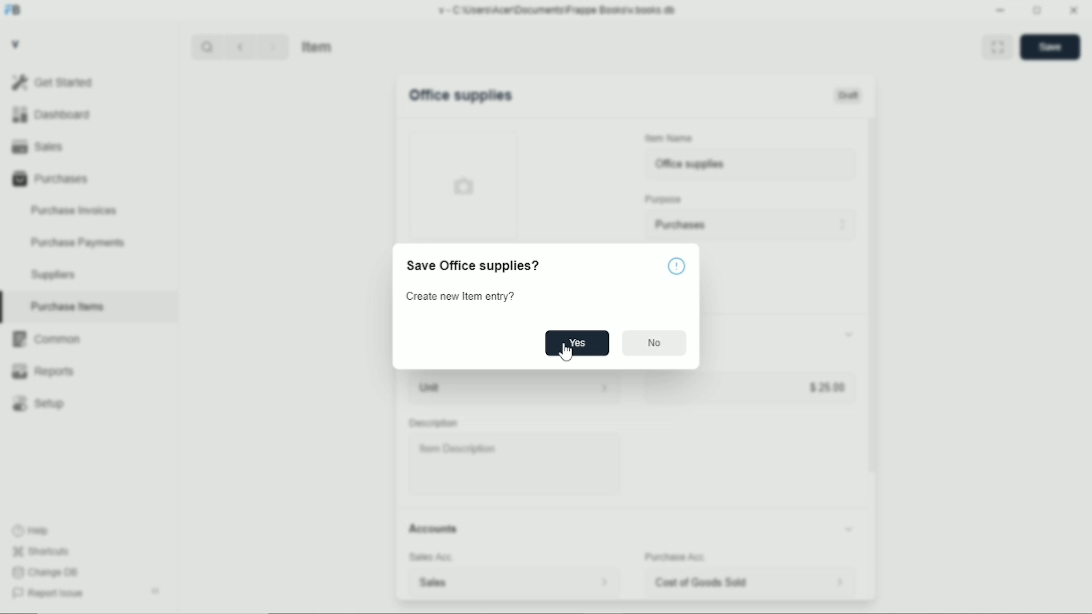 The height and width of the screenshot is (614, 1092). What do you see at coordinates (207, 47) in the screenshot?
I see `Search` at bounding box center [207, 47].